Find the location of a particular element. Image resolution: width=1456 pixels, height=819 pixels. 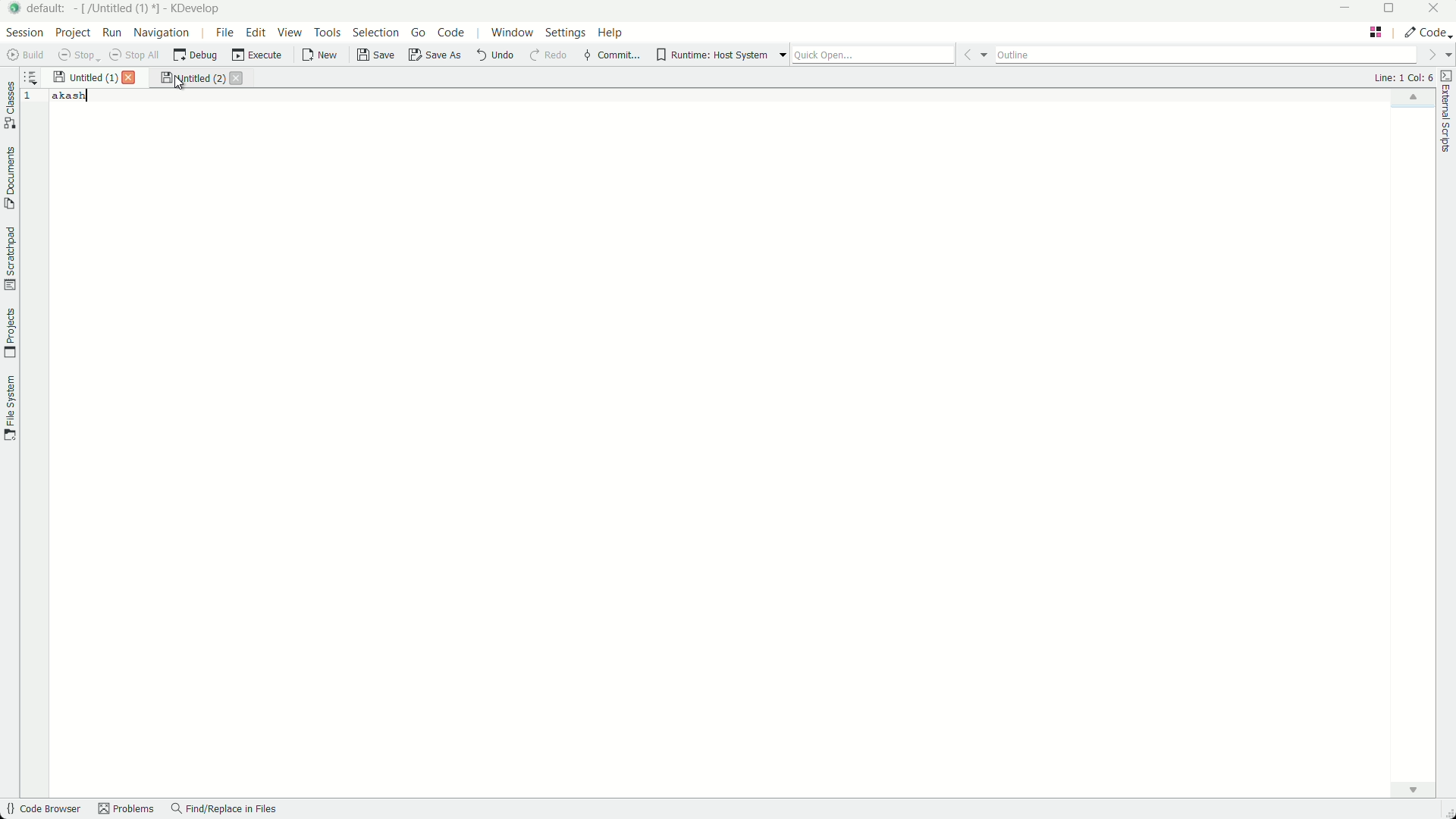

edit menu is located at coordinates (256, 33).